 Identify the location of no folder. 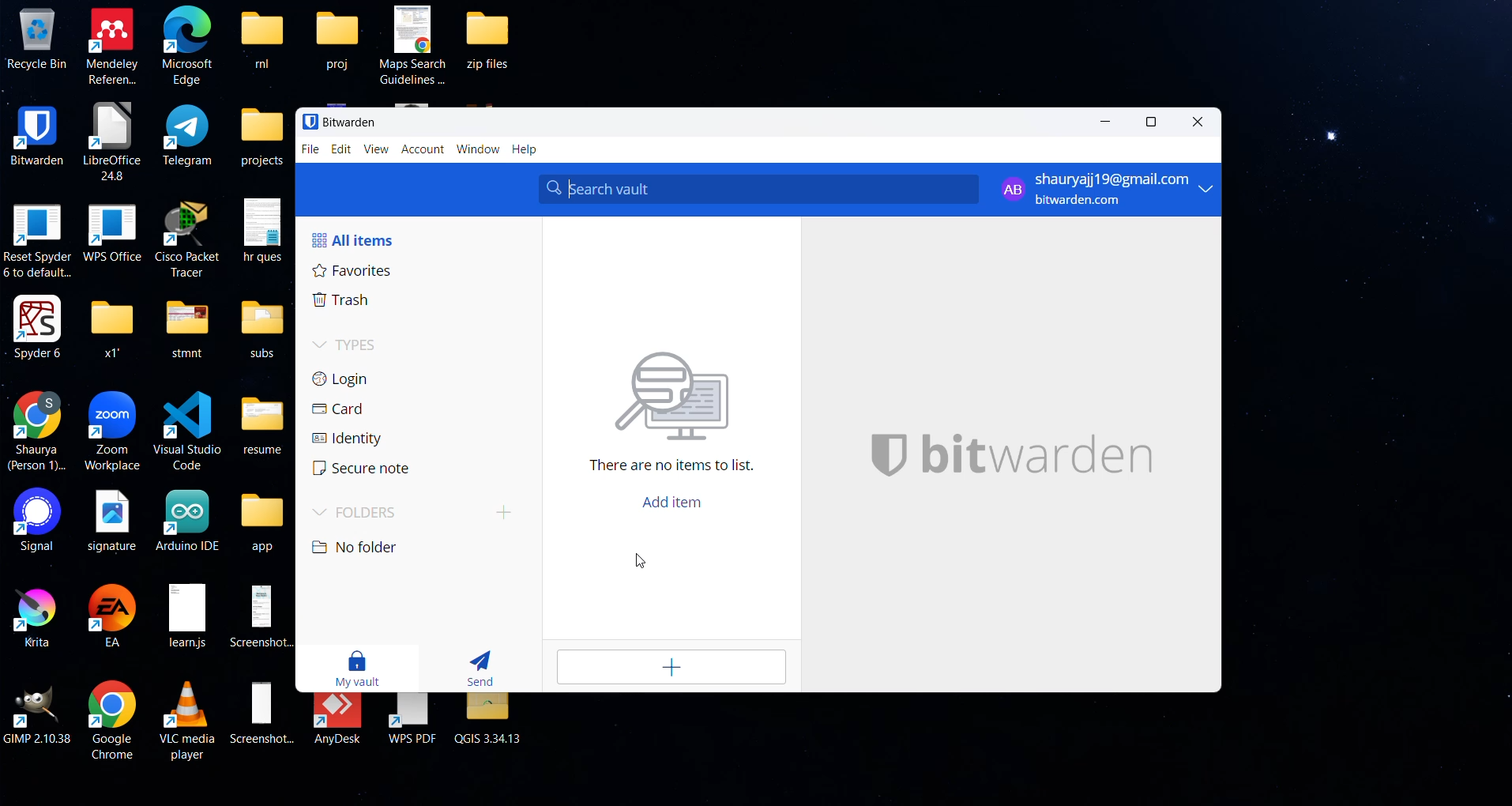
(360, 550).